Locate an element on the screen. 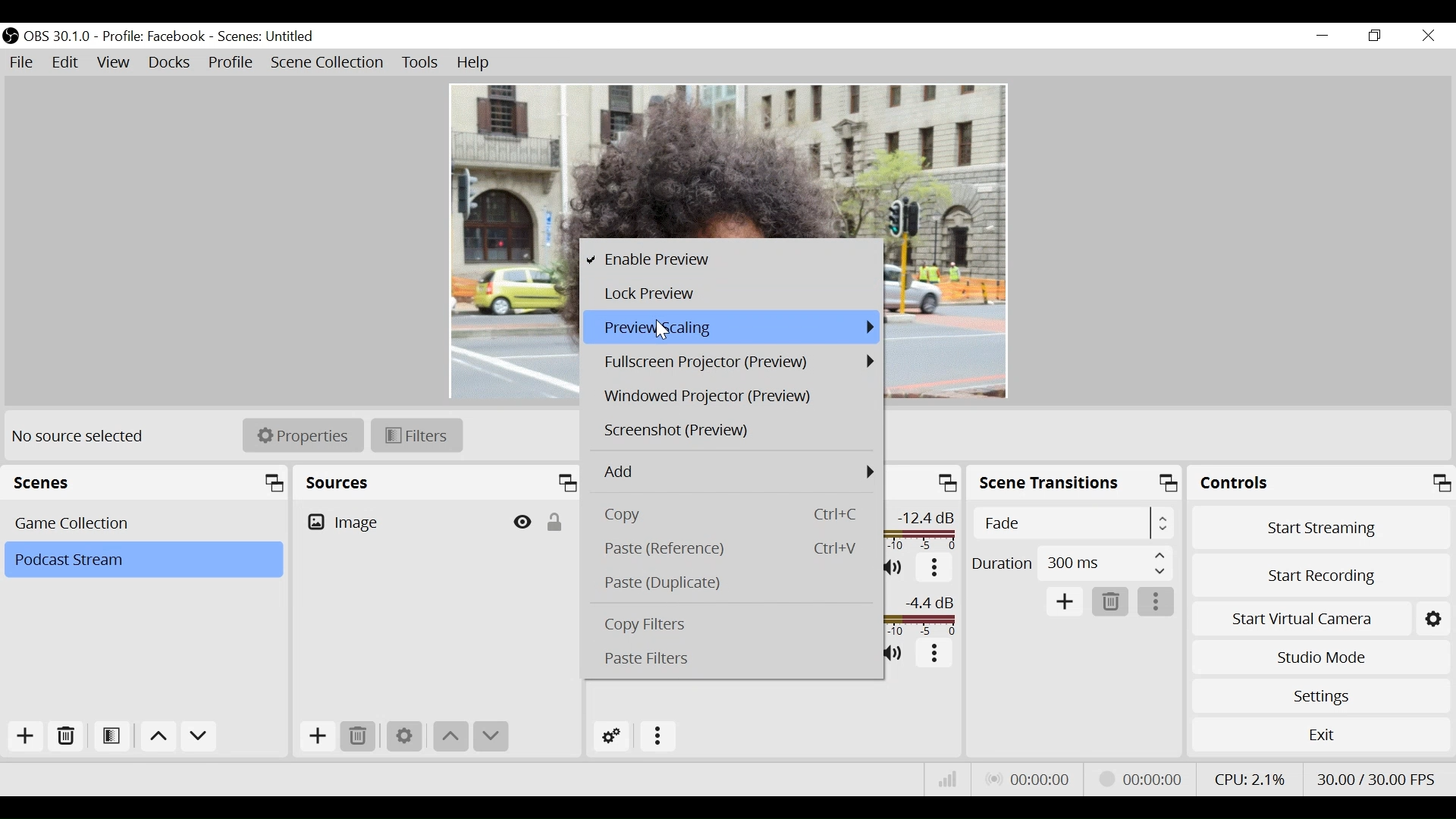 This screenshot has height=819, width=1456. (un)lock is located at coordinates (553, 522).